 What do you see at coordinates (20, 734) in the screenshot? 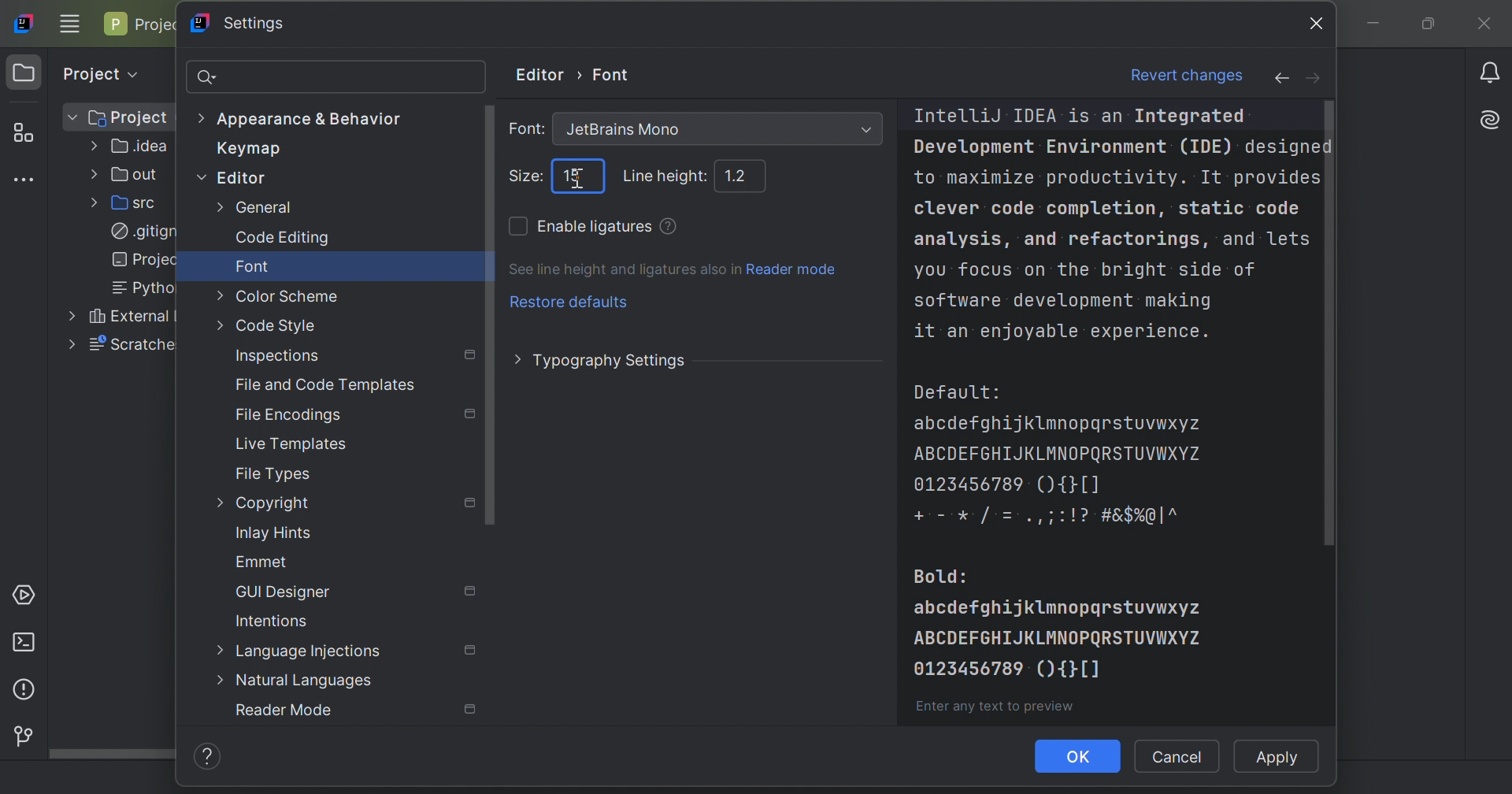
I see `Version control` at bounding box center [20, 734].